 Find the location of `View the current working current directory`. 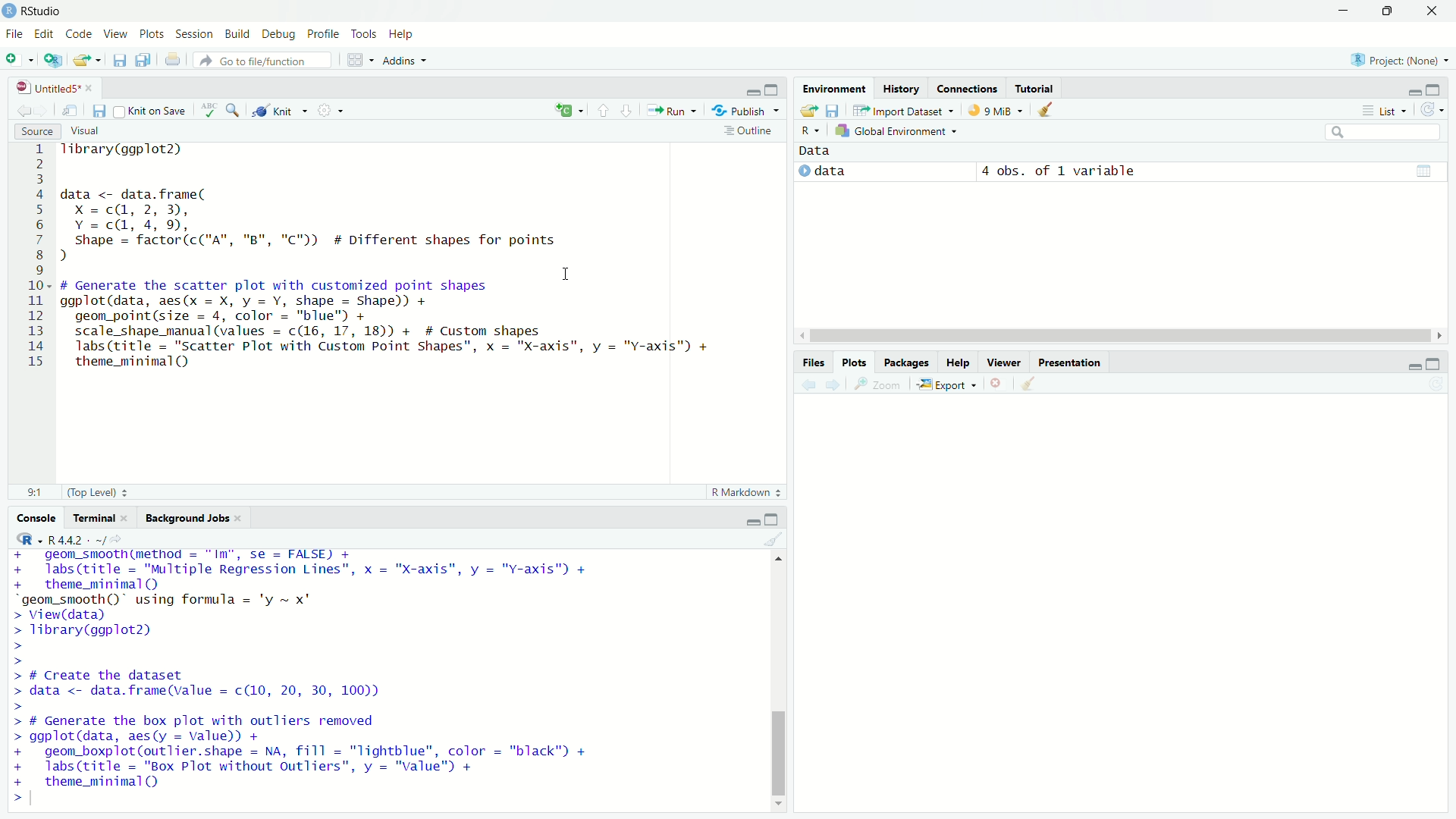

View the current working current directory is located at coordinates (116, 539).